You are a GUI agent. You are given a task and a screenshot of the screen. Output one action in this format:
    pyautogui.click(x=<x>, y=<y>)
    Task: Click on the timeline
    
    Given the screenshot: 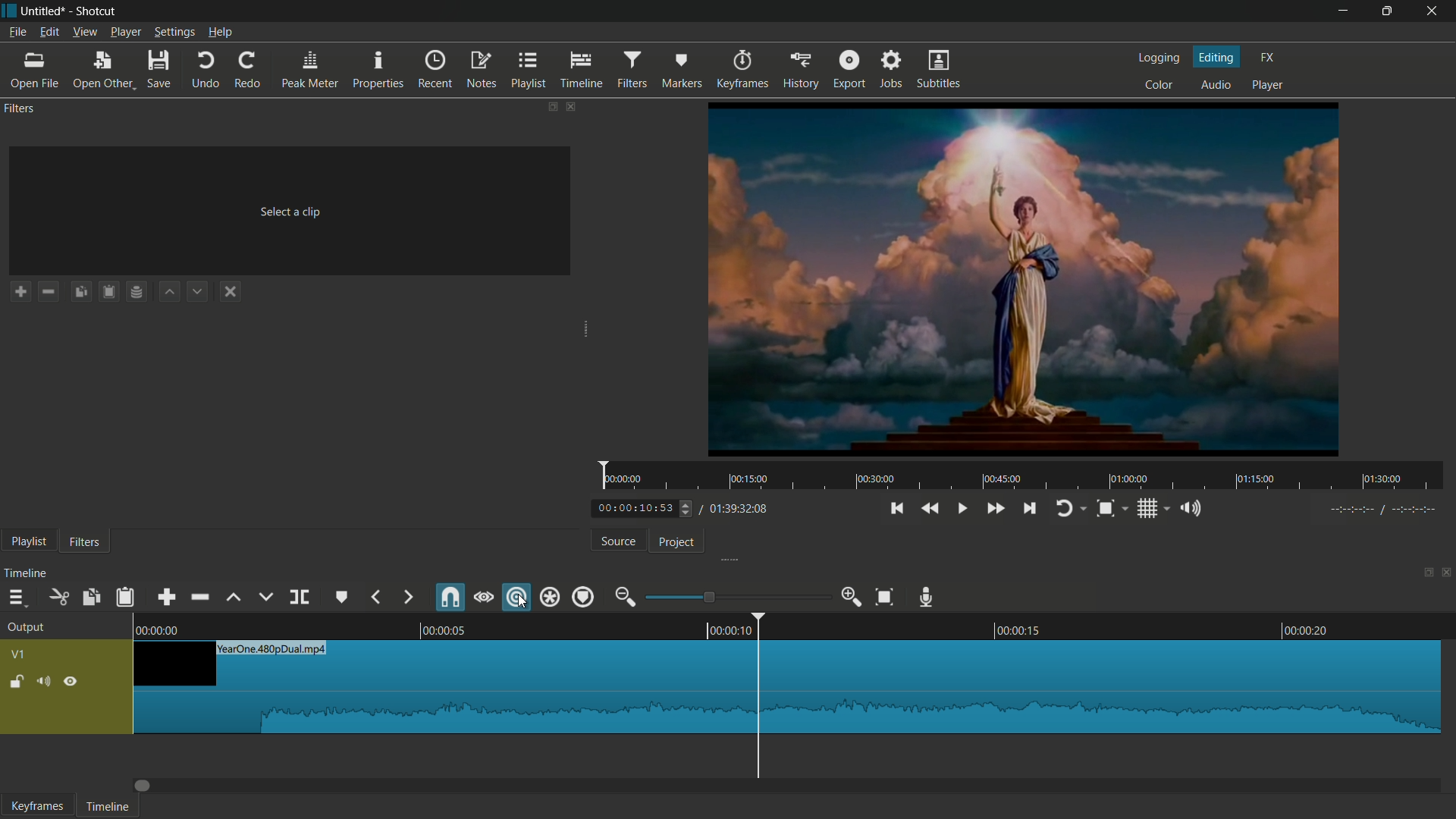 What is the action you would take?
    pyautogui.click(x=582, y=70)
    